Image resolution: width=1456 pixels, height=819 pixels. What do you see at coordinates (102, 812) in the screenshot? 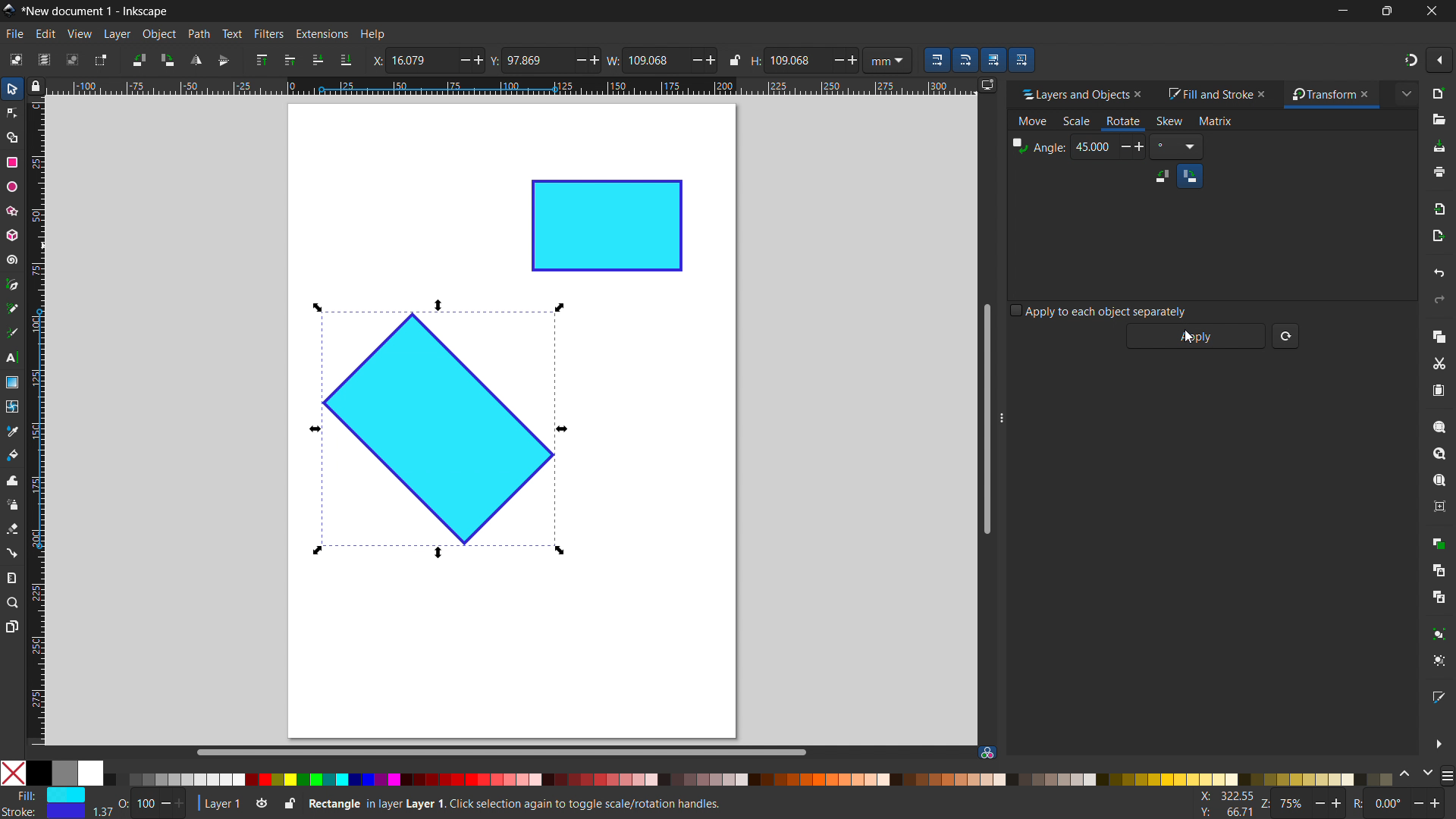
I see `width of stroke` at bounding box center [102, 812].